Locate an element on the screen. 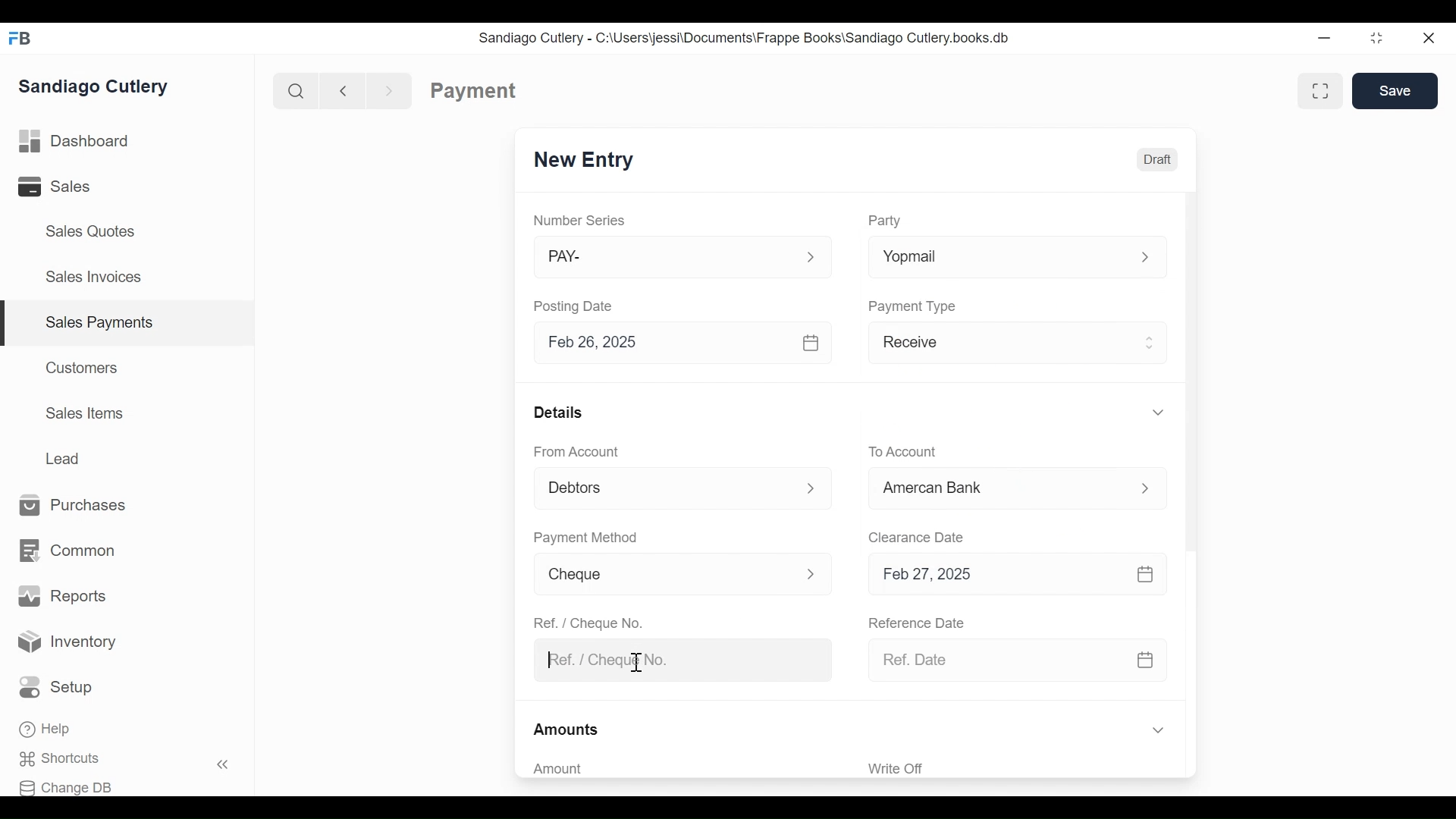 Image resolution: width=1456 pixels, height=819 pixels. Feb 26, 2025  is located at coordinates (663, 343).